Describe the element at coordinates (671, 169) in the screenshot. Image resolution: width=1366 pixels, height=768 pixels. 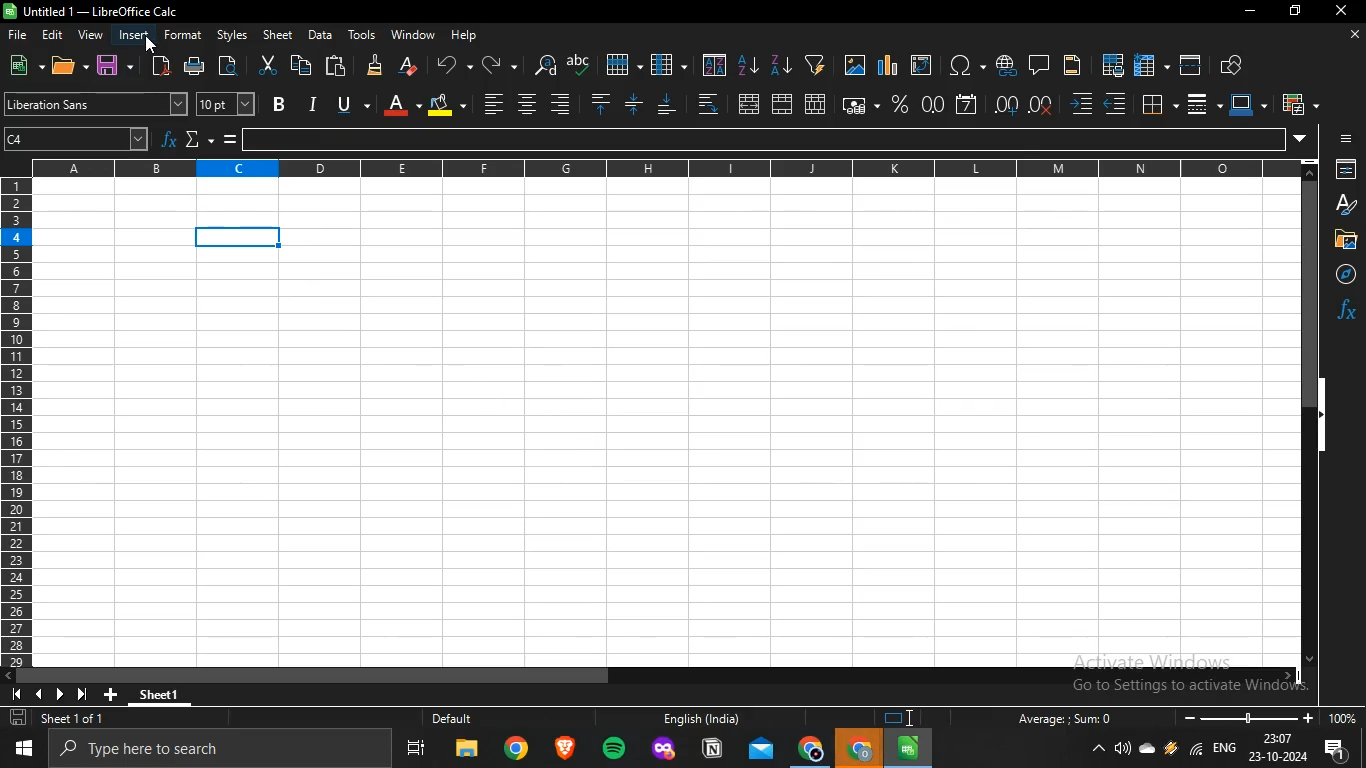
I see `column` at that location.